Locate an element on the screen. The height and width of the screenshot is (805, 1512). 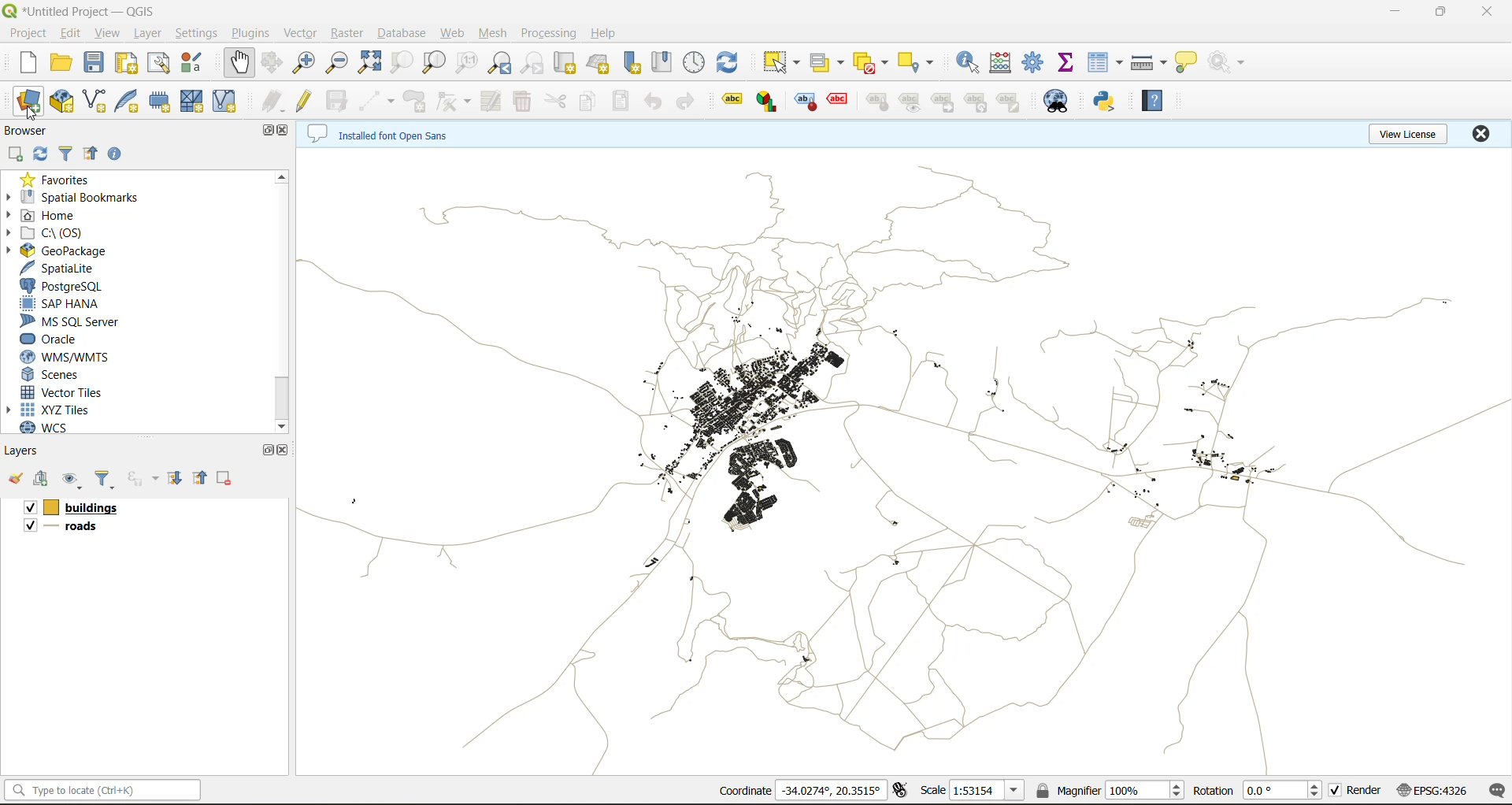
help is located at coordinates (606, 33).